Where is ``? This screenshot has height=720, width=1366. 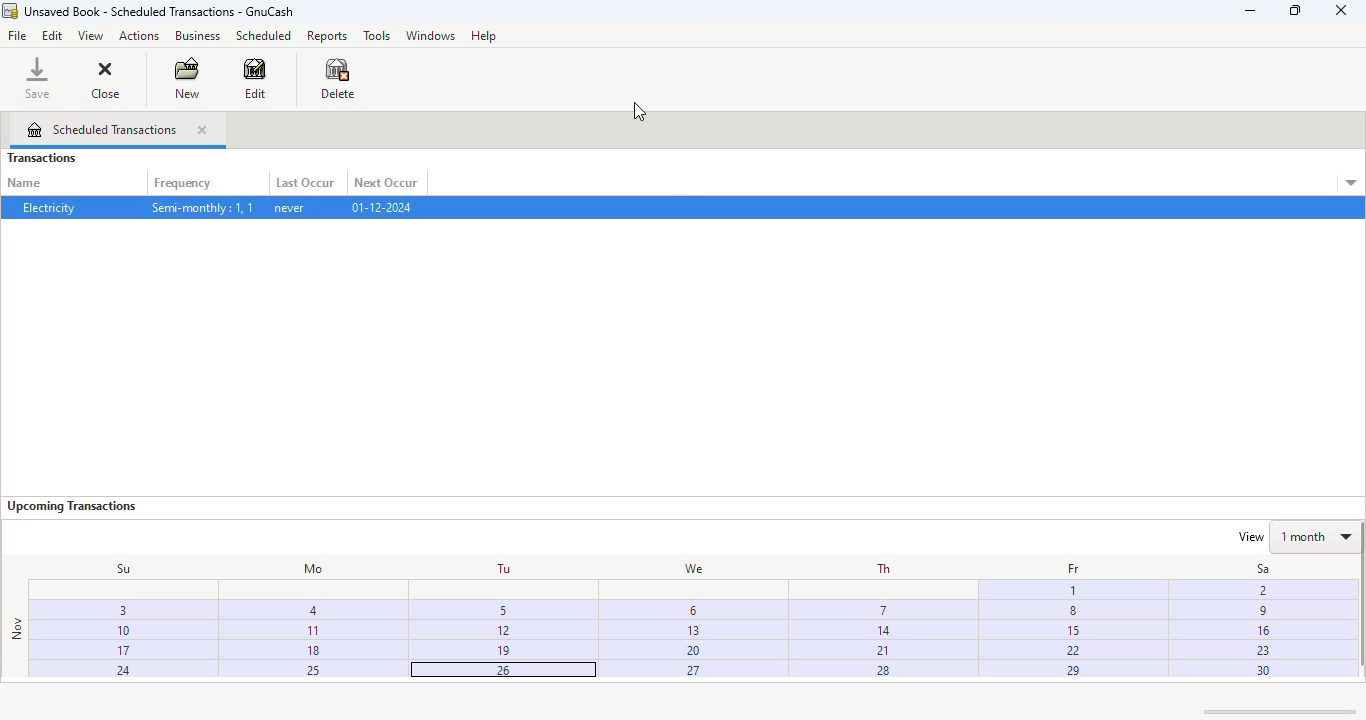
 is located at coordinates (1076, 611).